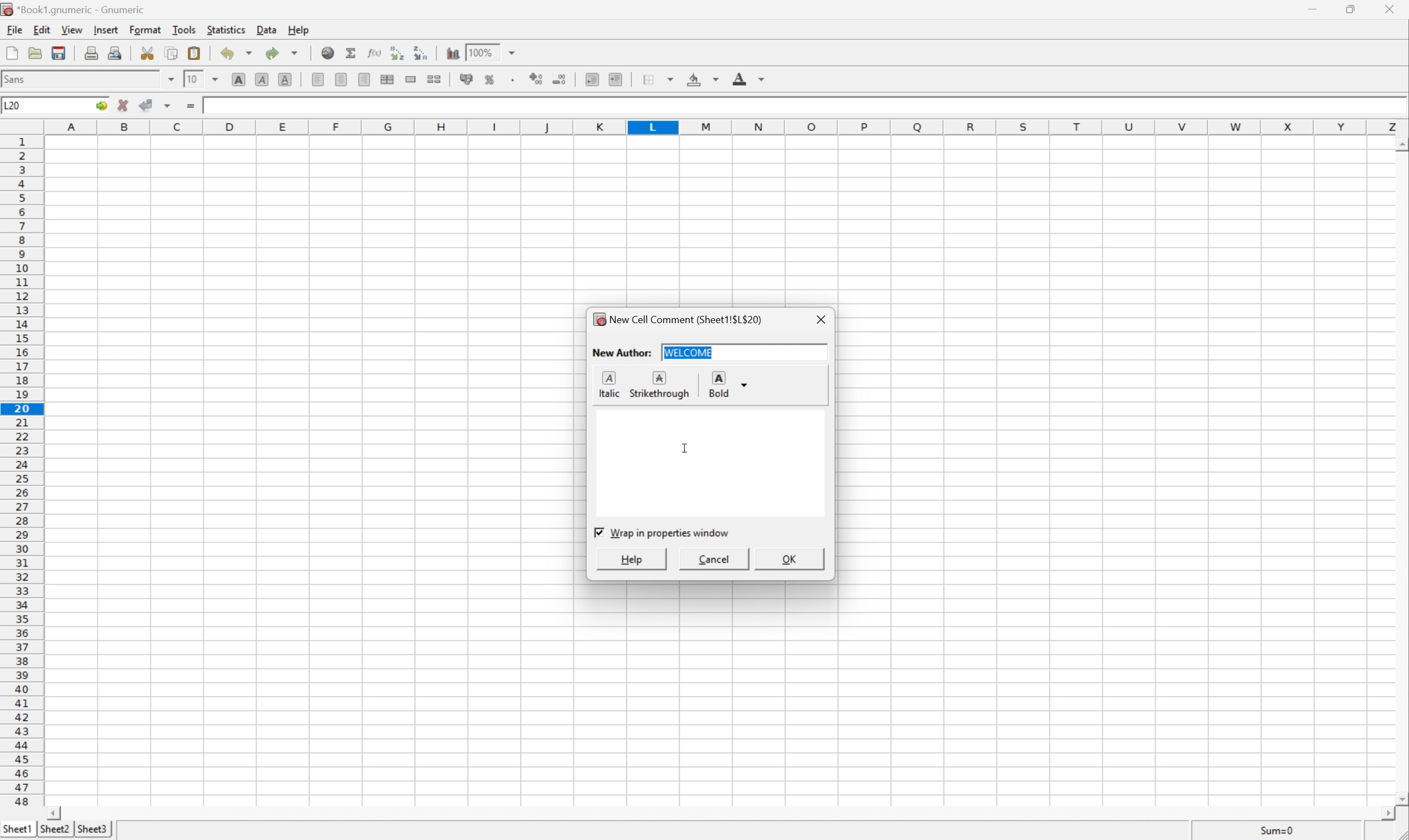  I want to click on Help, so click(629, 559).